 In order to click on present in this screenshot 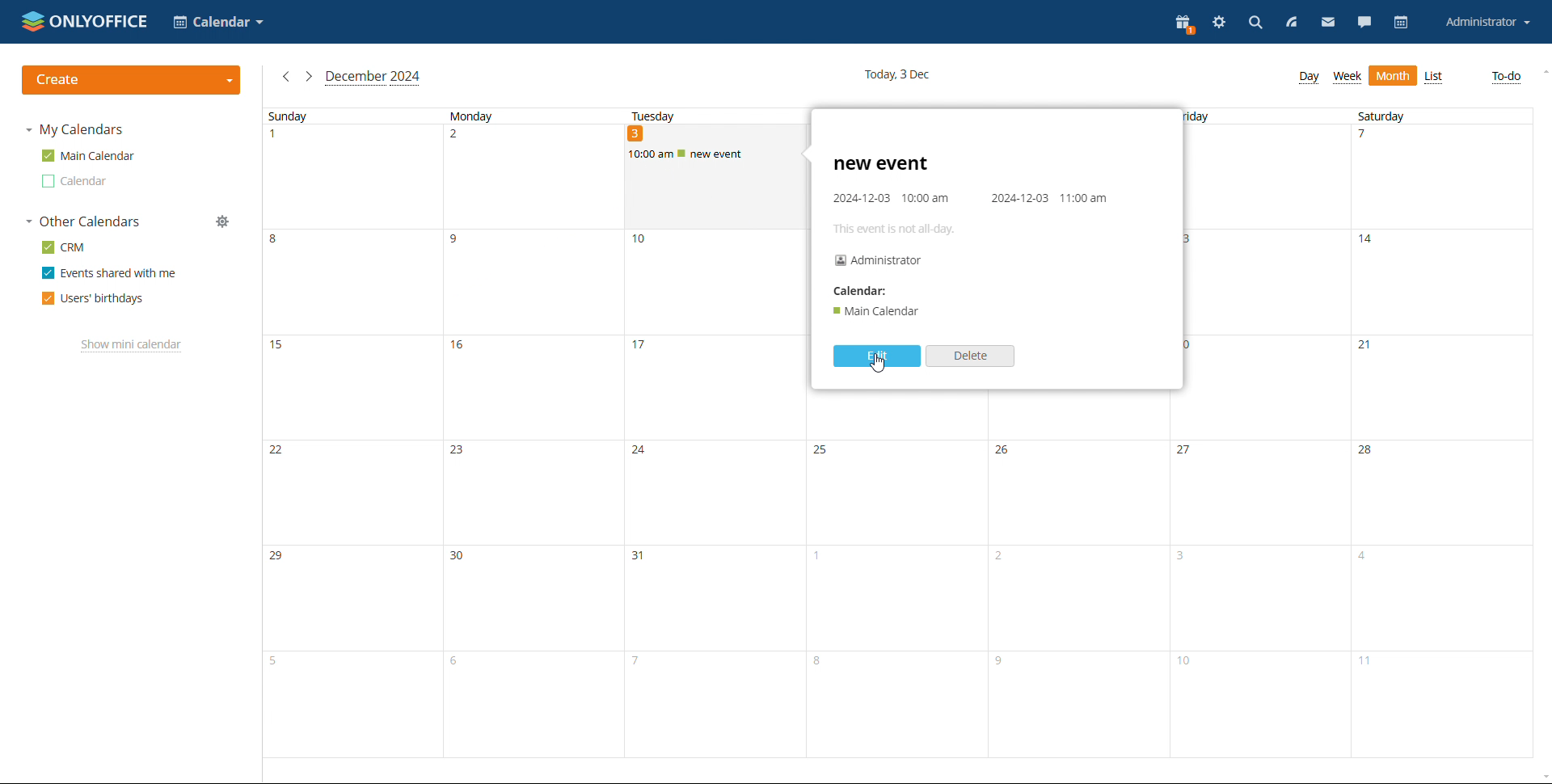, I will do `click(1184, 25)`.